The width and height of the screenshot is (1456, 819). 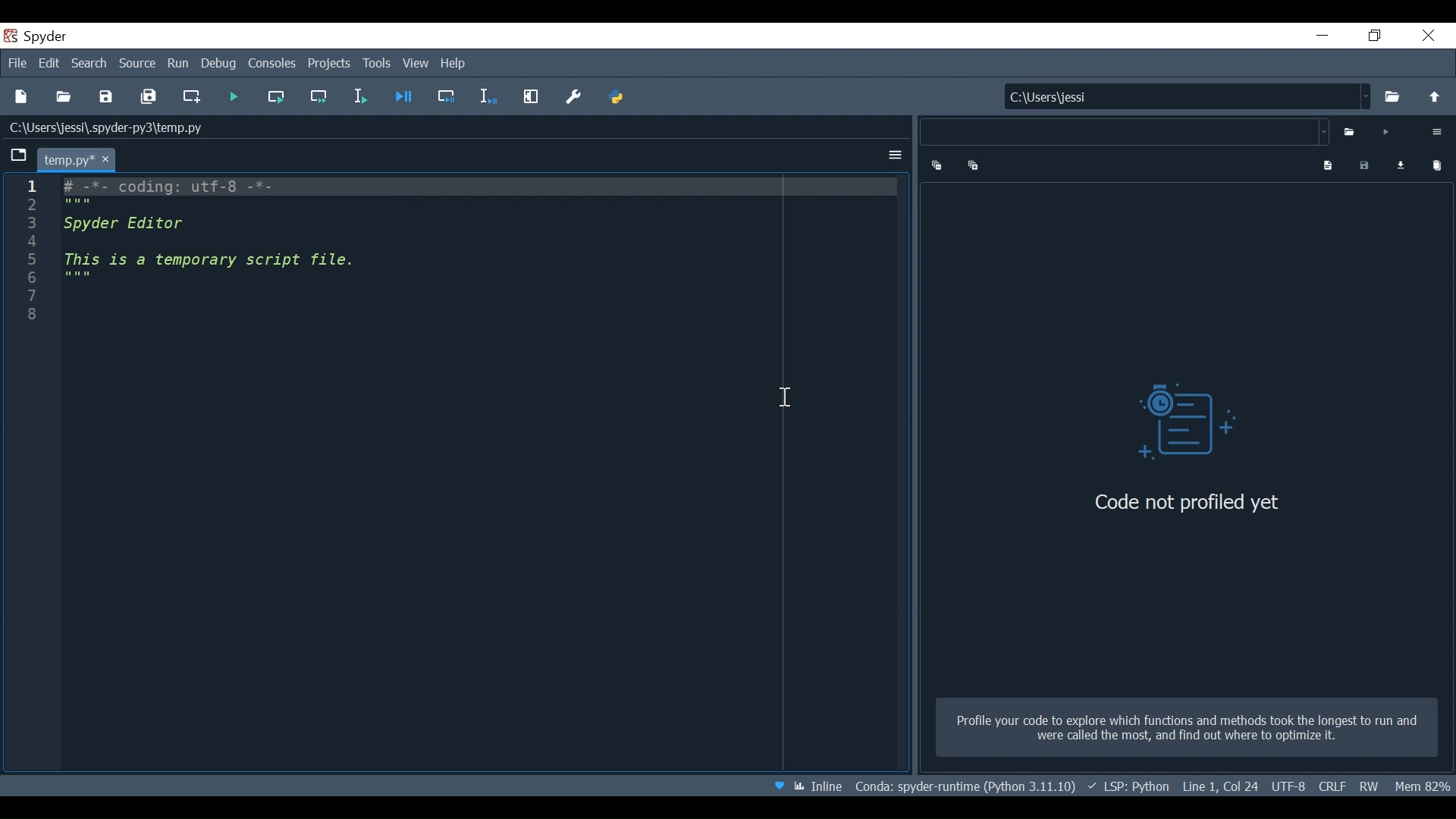 I want to click on Save All current file, so click(x=148, y=99).